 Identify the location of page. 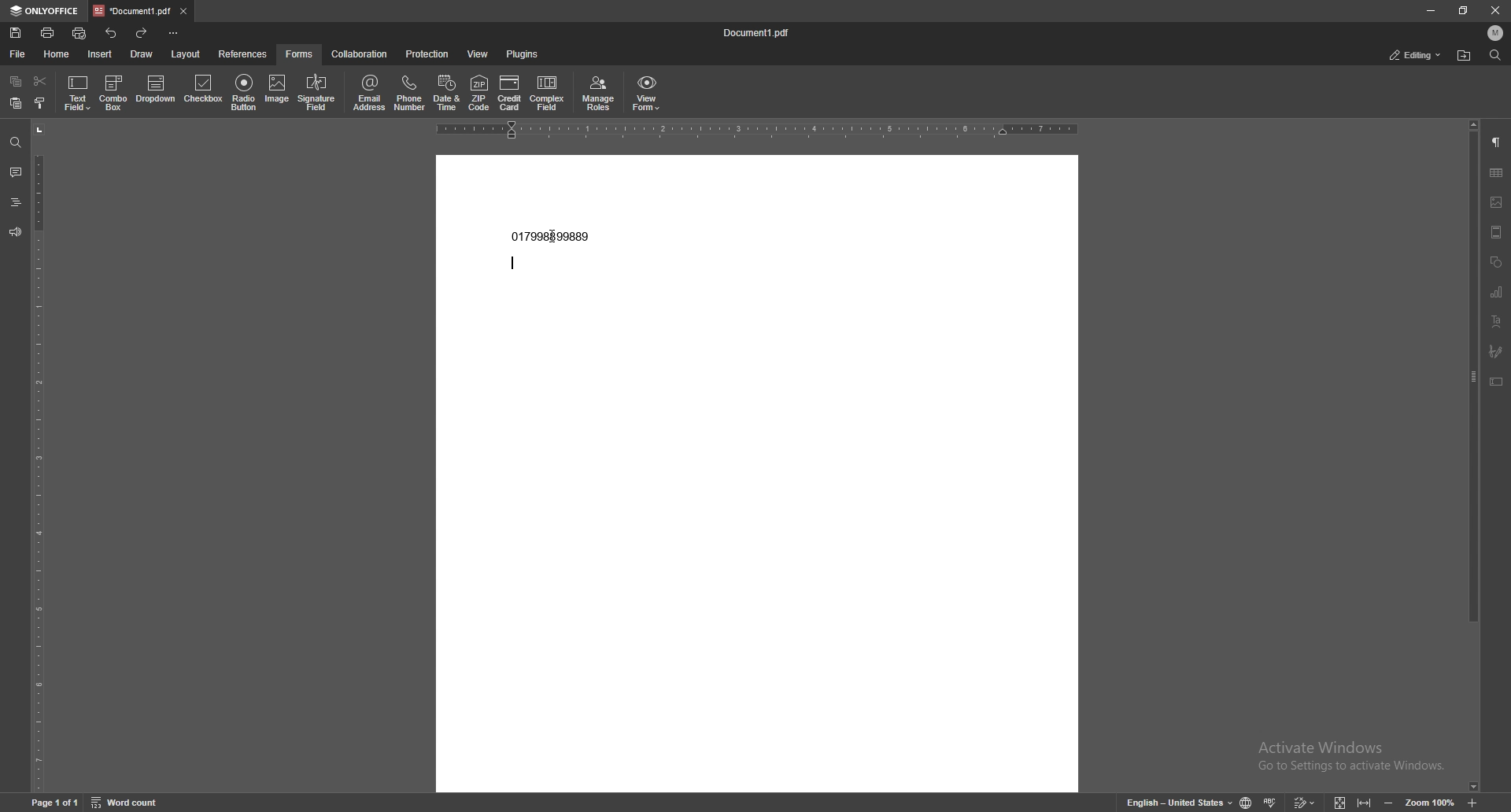
(56, 803).